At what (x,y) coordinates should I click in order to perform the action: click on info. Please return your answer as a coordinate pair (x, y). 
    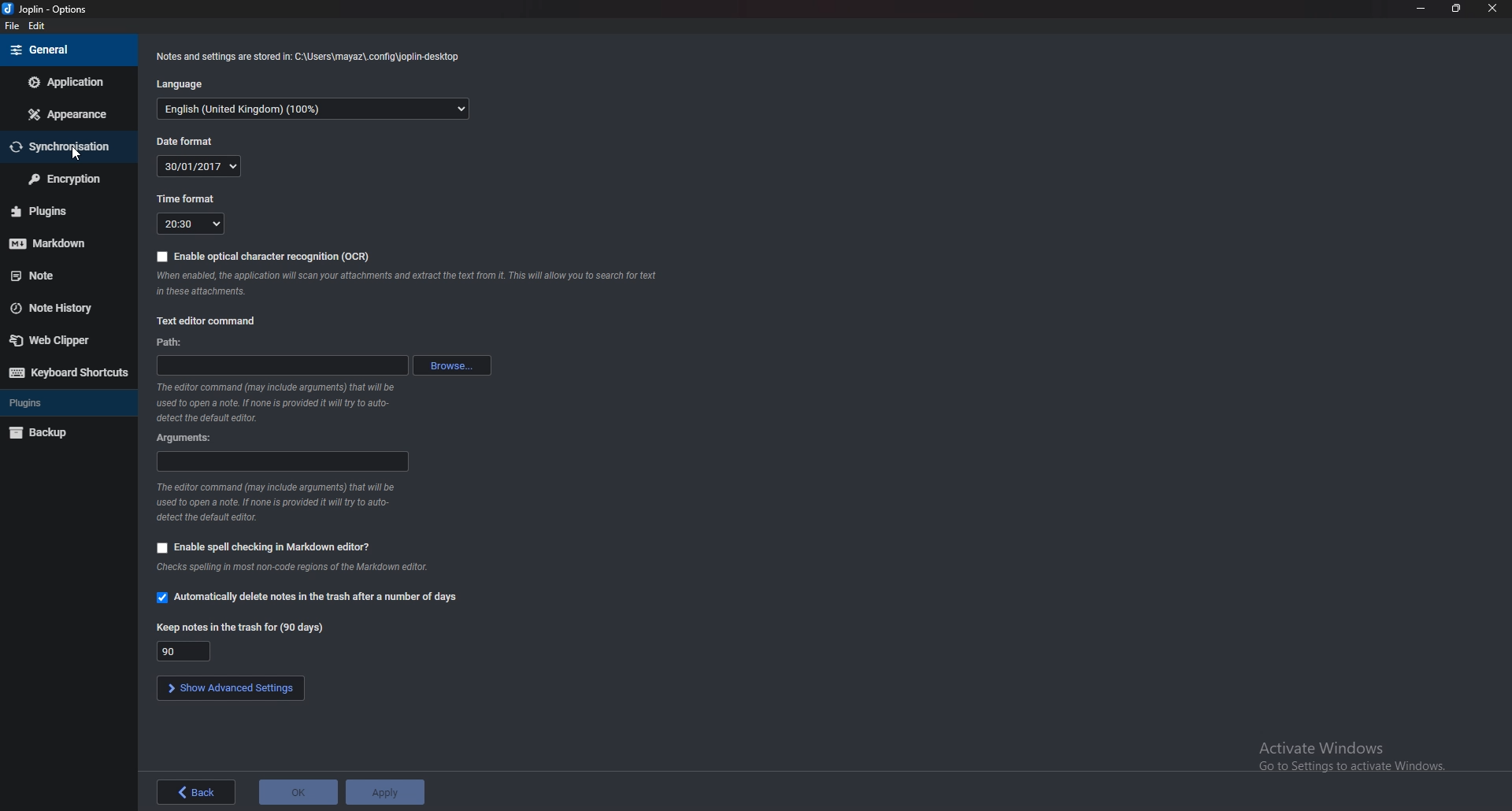
    Looking at the image, I should click on (293, 568).